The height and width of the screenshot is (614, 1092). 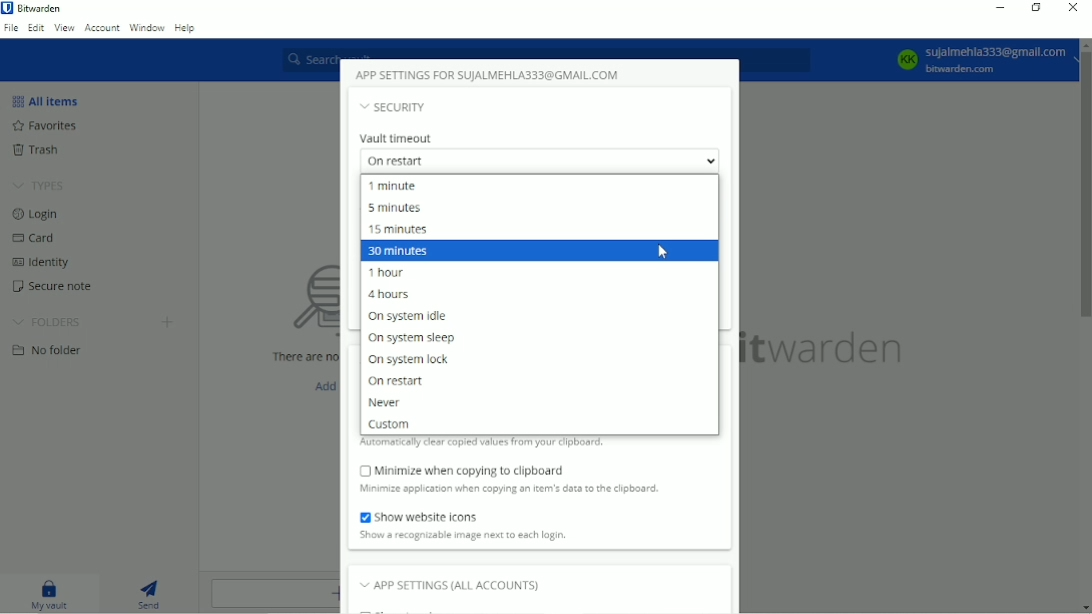 What do you see at coordinates (394, 207) in the screenshot?
I see `5 minutes` at bounding box center [394, 207].